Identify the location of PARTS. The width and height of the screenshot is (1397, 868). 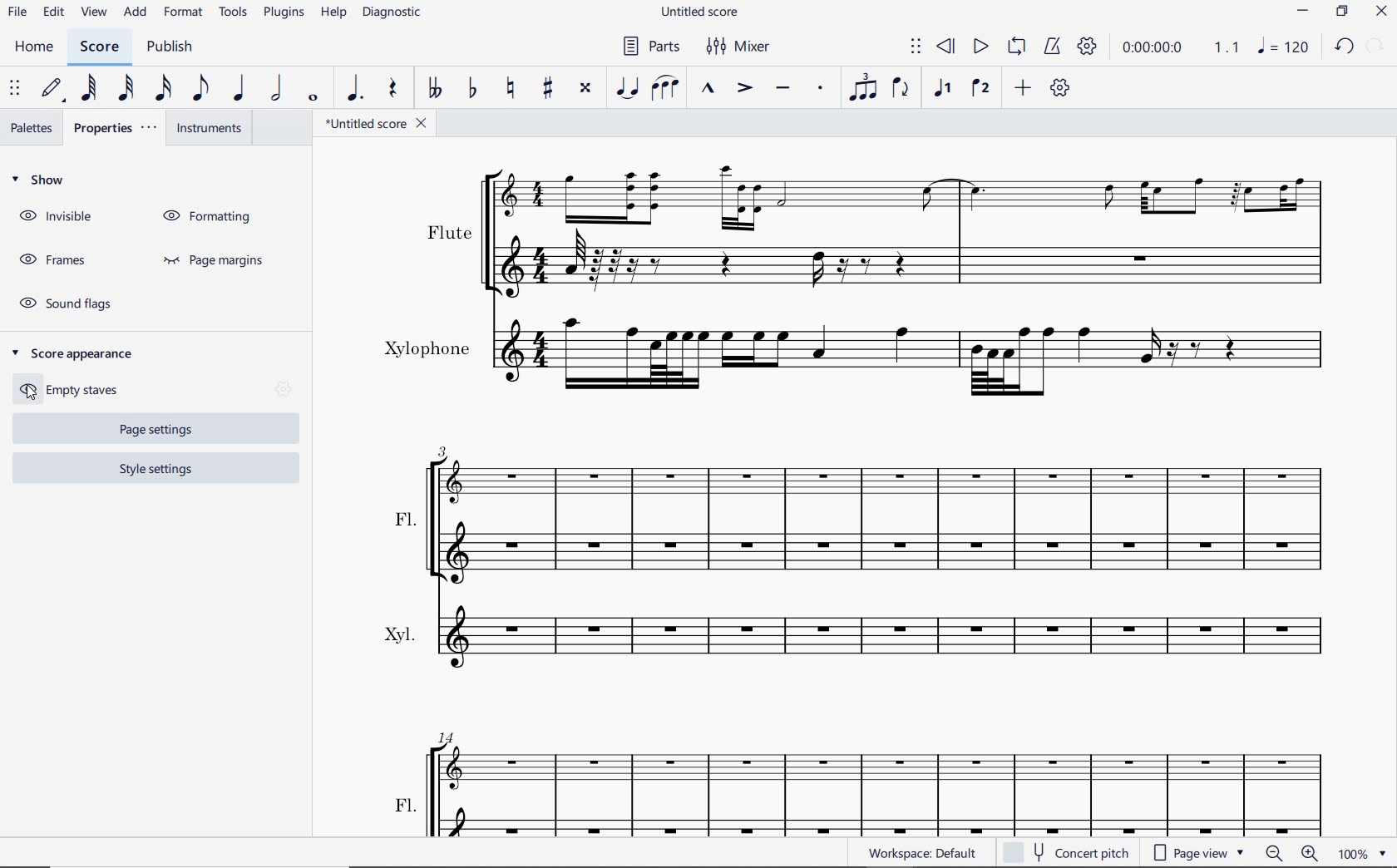
(654, 45).